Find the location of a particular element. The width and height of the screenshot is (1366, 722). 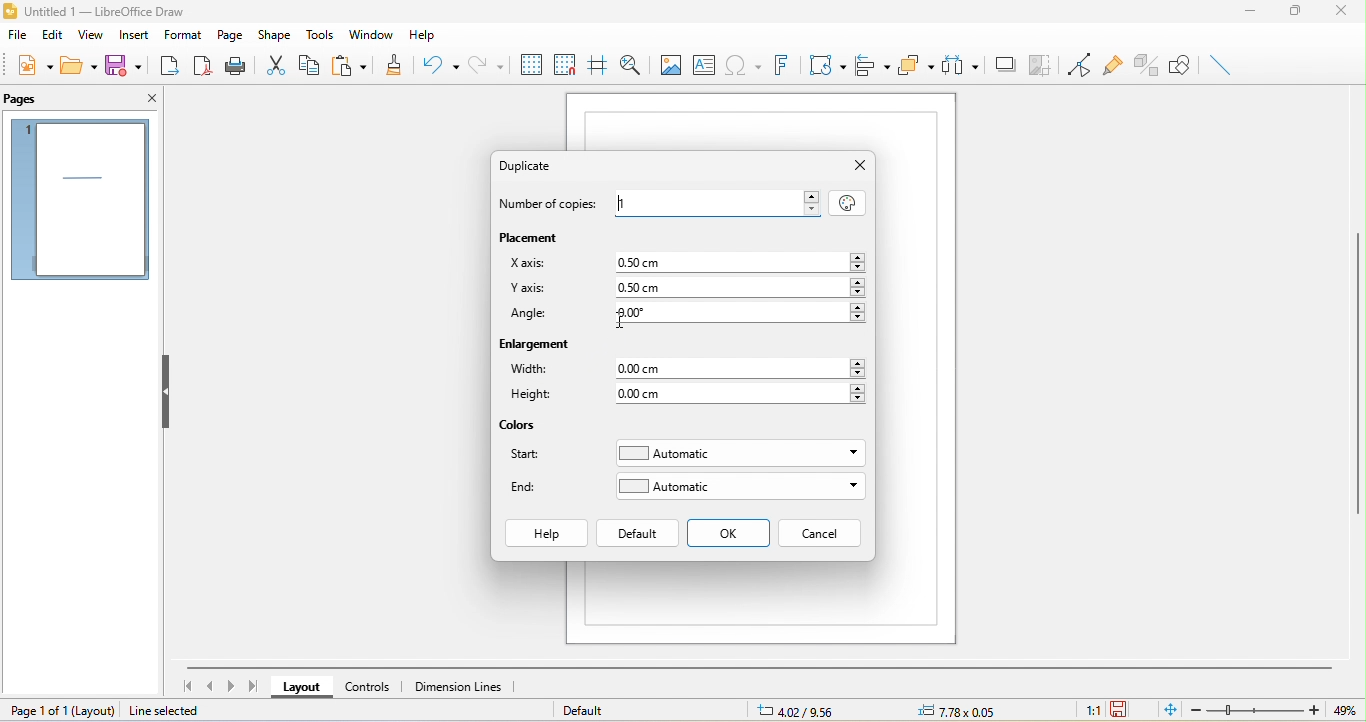

crop image is located at coordinates (1042, 64).